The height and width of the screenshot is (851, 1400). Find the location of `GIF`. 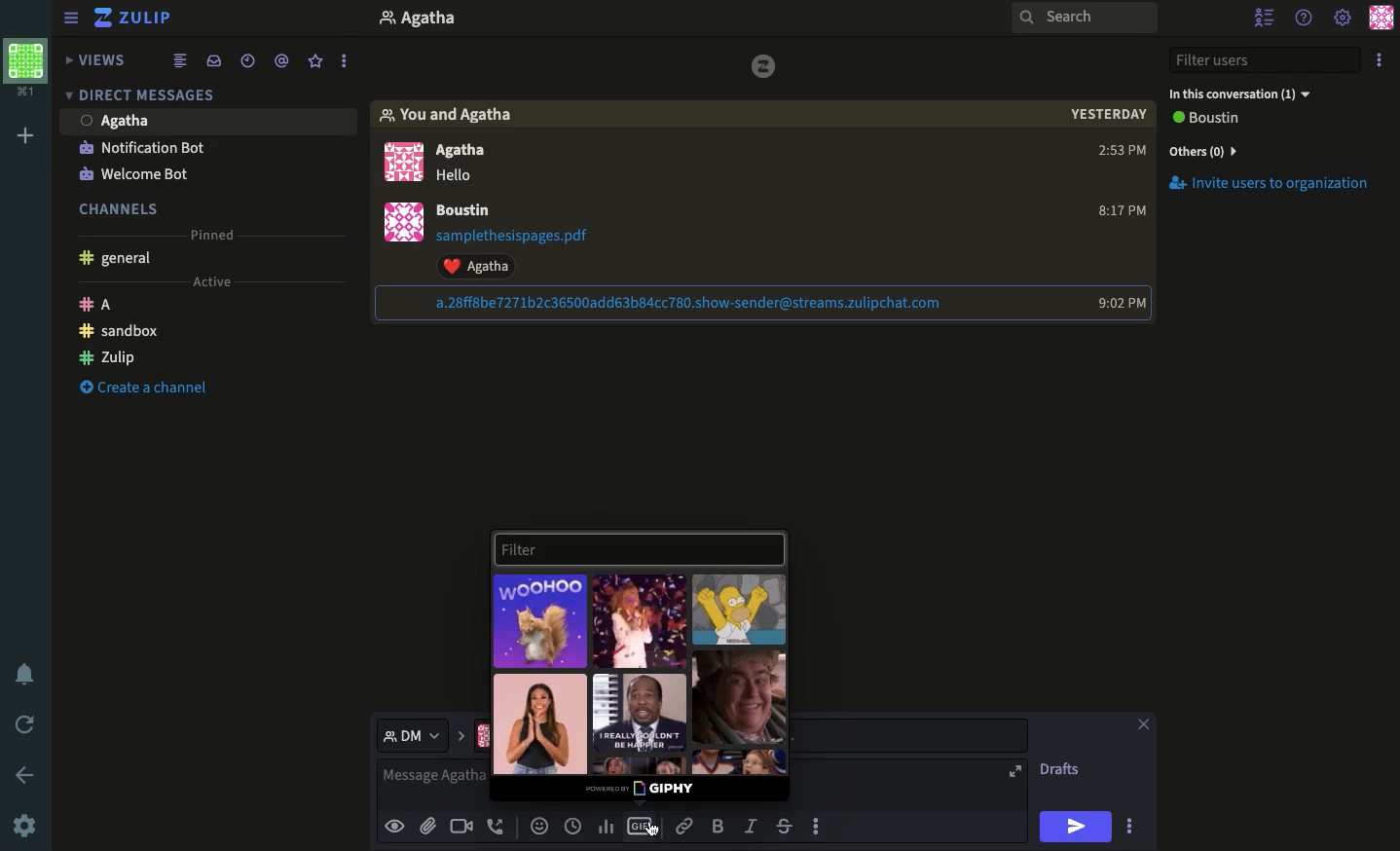

GIF is located at coordinates (641, 621).